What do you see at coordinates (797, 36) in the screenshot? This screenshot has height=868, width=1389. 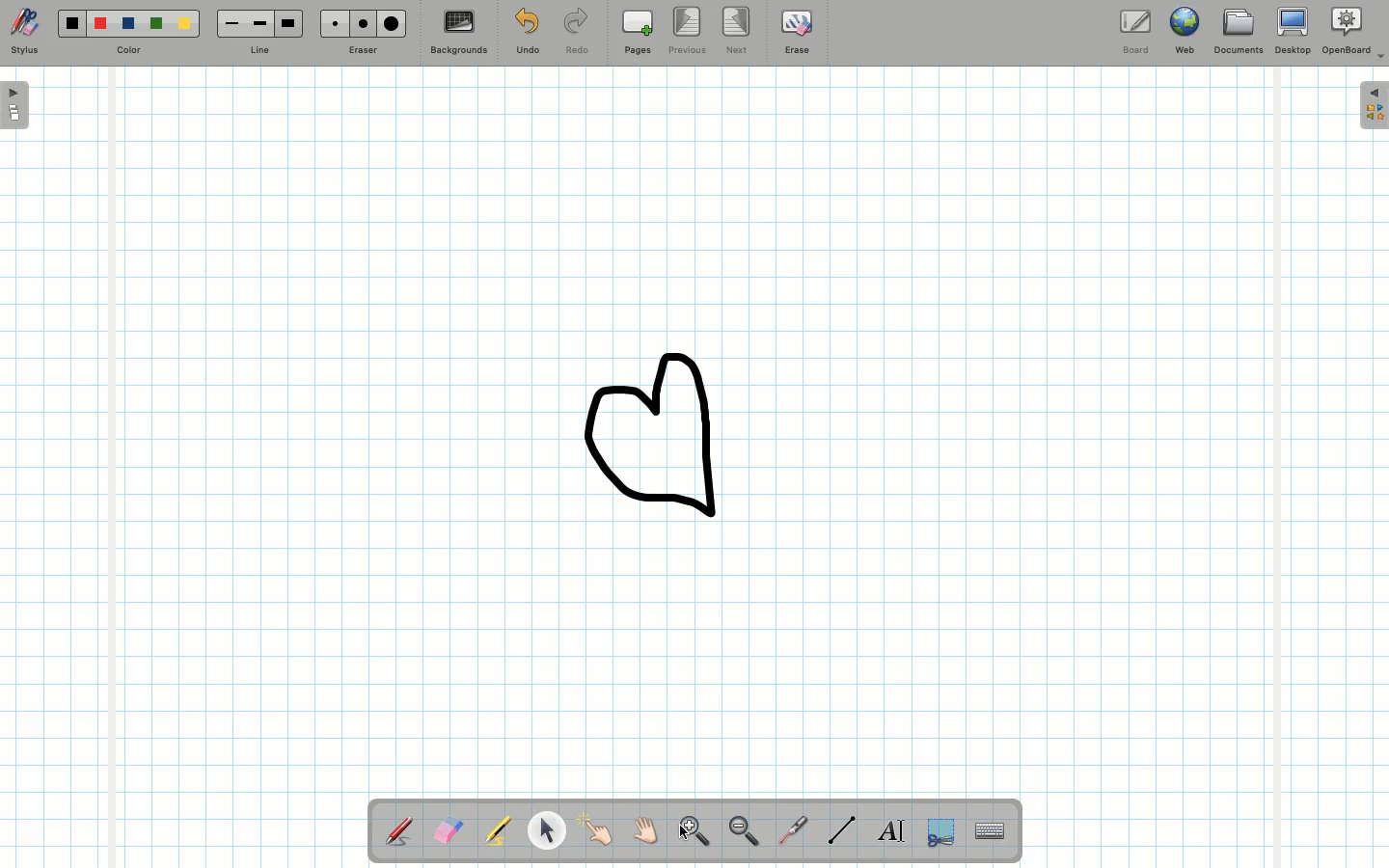 I see `Erase` at bounding box center [797, 36].